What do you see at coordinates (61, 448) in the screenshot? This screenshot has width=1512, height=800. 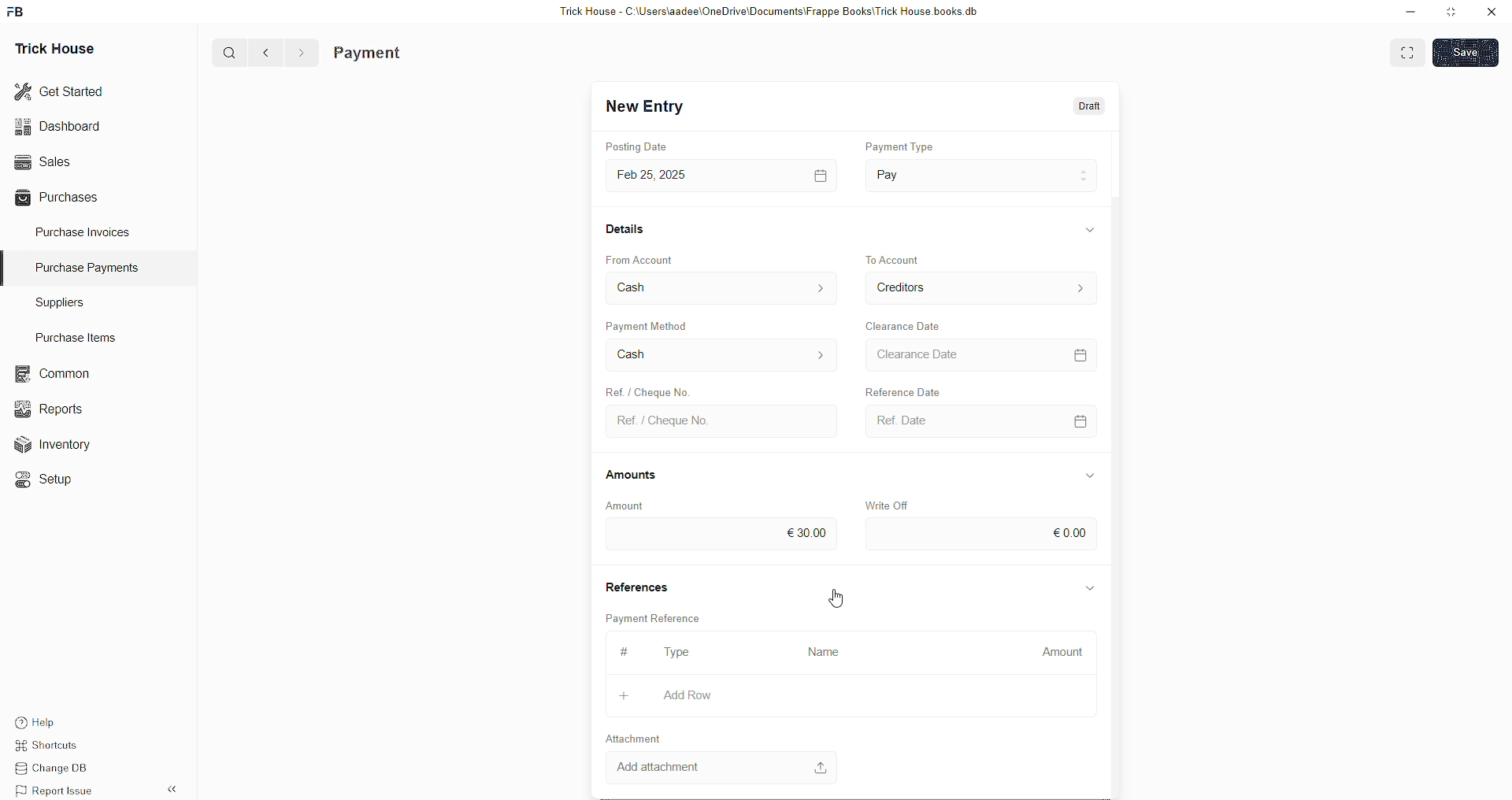 I see `Inventory` at bounding box center [61, 448].